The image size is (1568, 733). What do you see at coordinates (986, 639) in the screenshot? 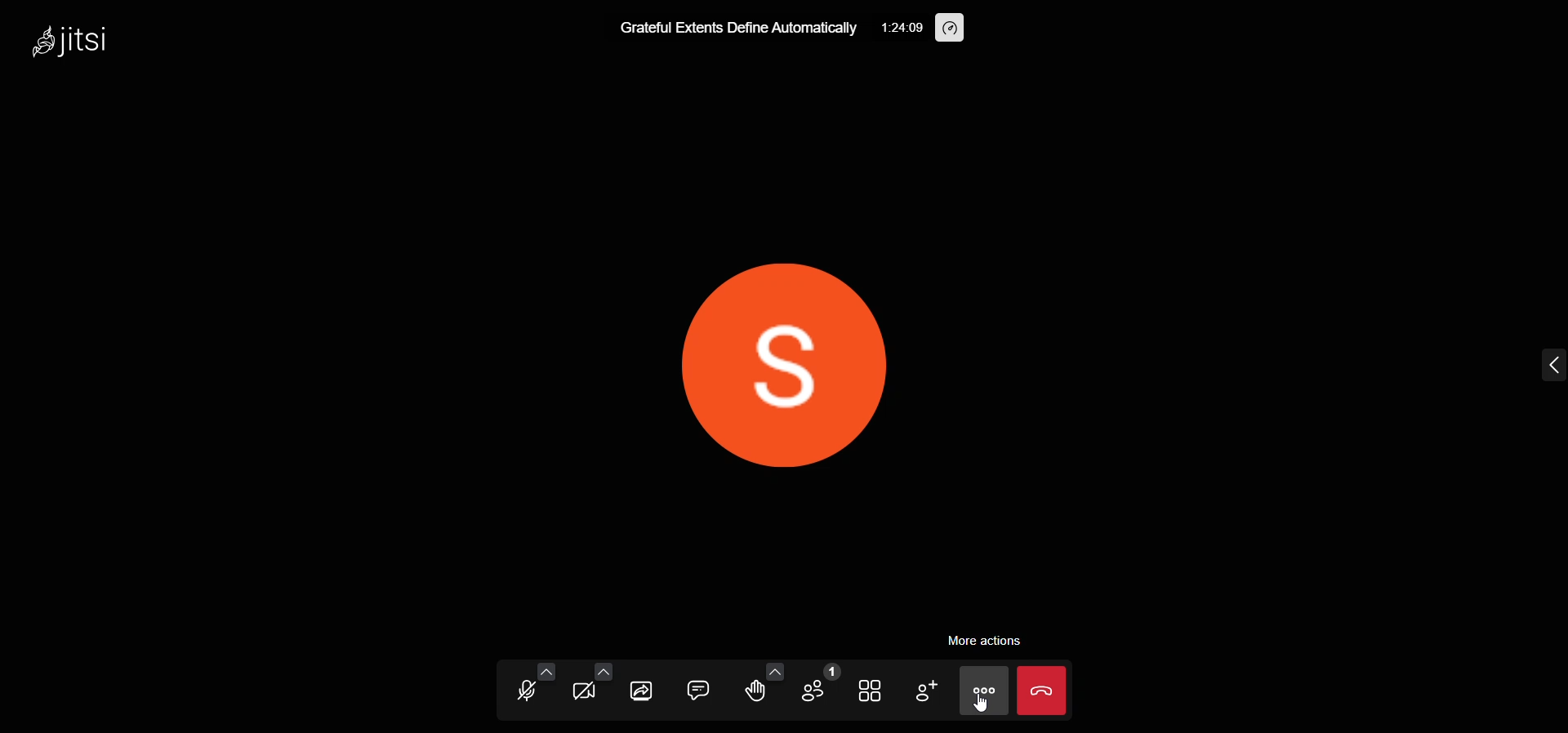
I see `more actions` at bounding box center [986, 639].